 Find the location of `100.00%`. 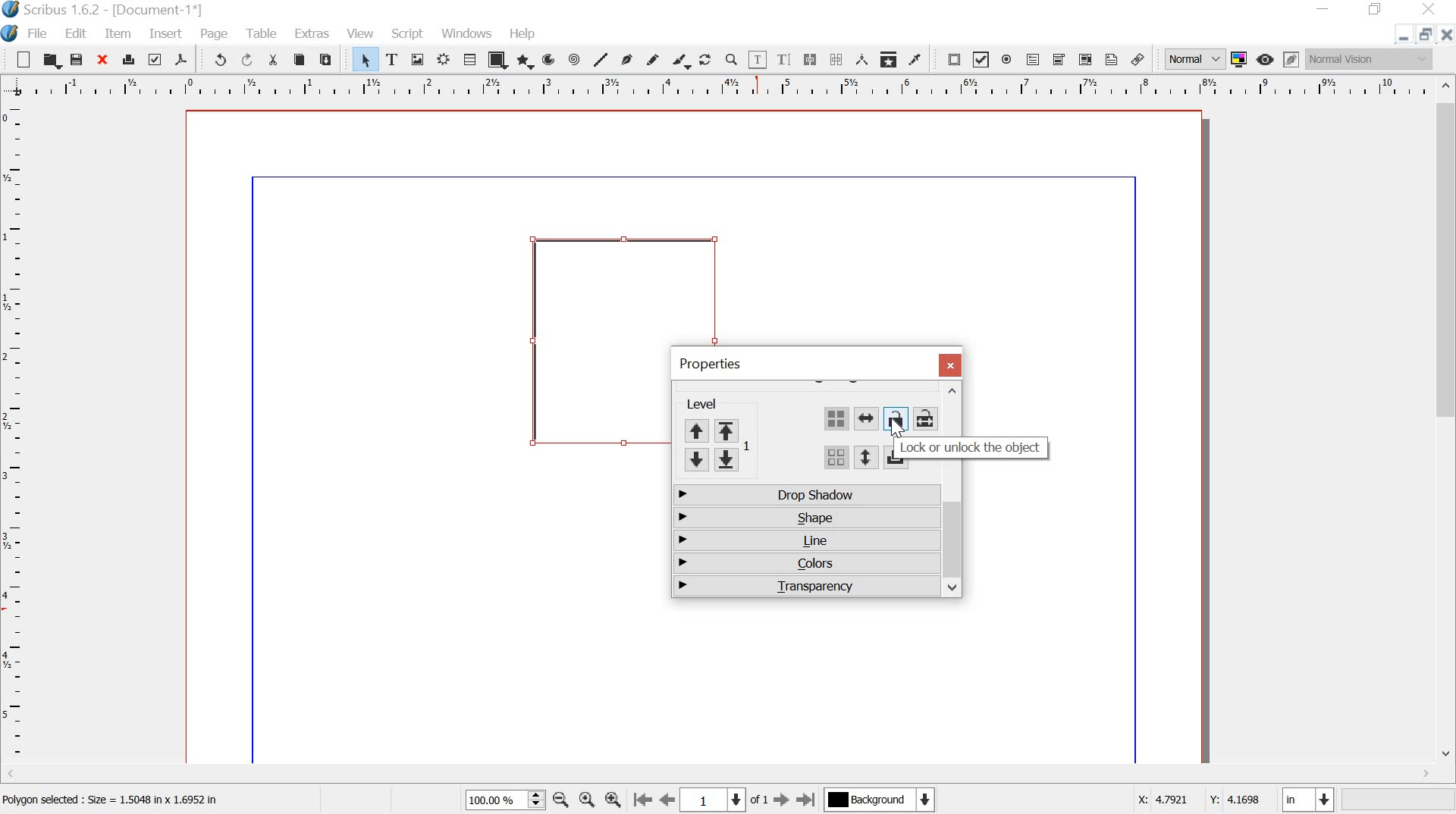

100.00% is located at coordinates (491, 800).